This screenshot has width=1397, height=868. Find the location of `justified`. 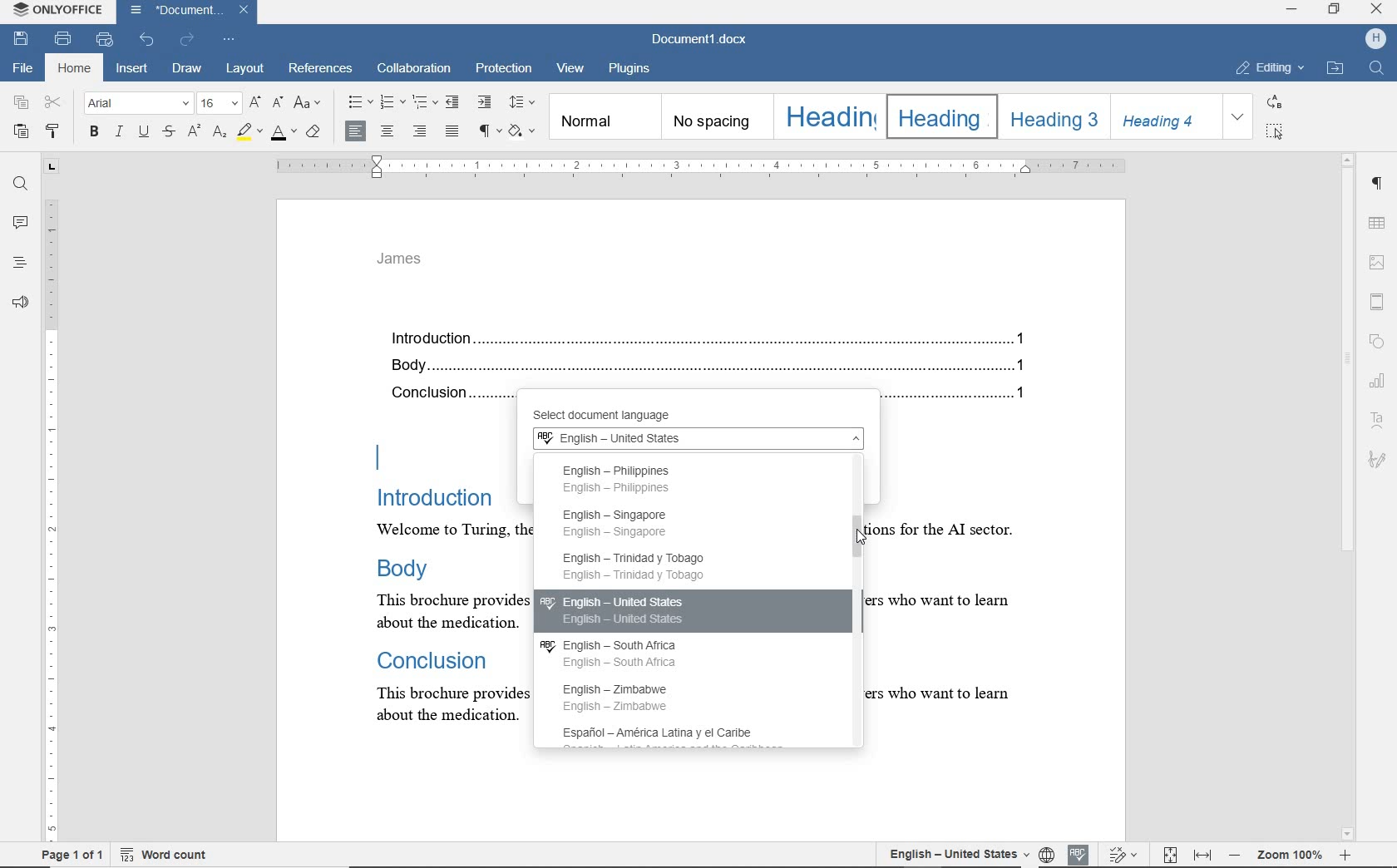

justified is located at coordinates (453, 132).